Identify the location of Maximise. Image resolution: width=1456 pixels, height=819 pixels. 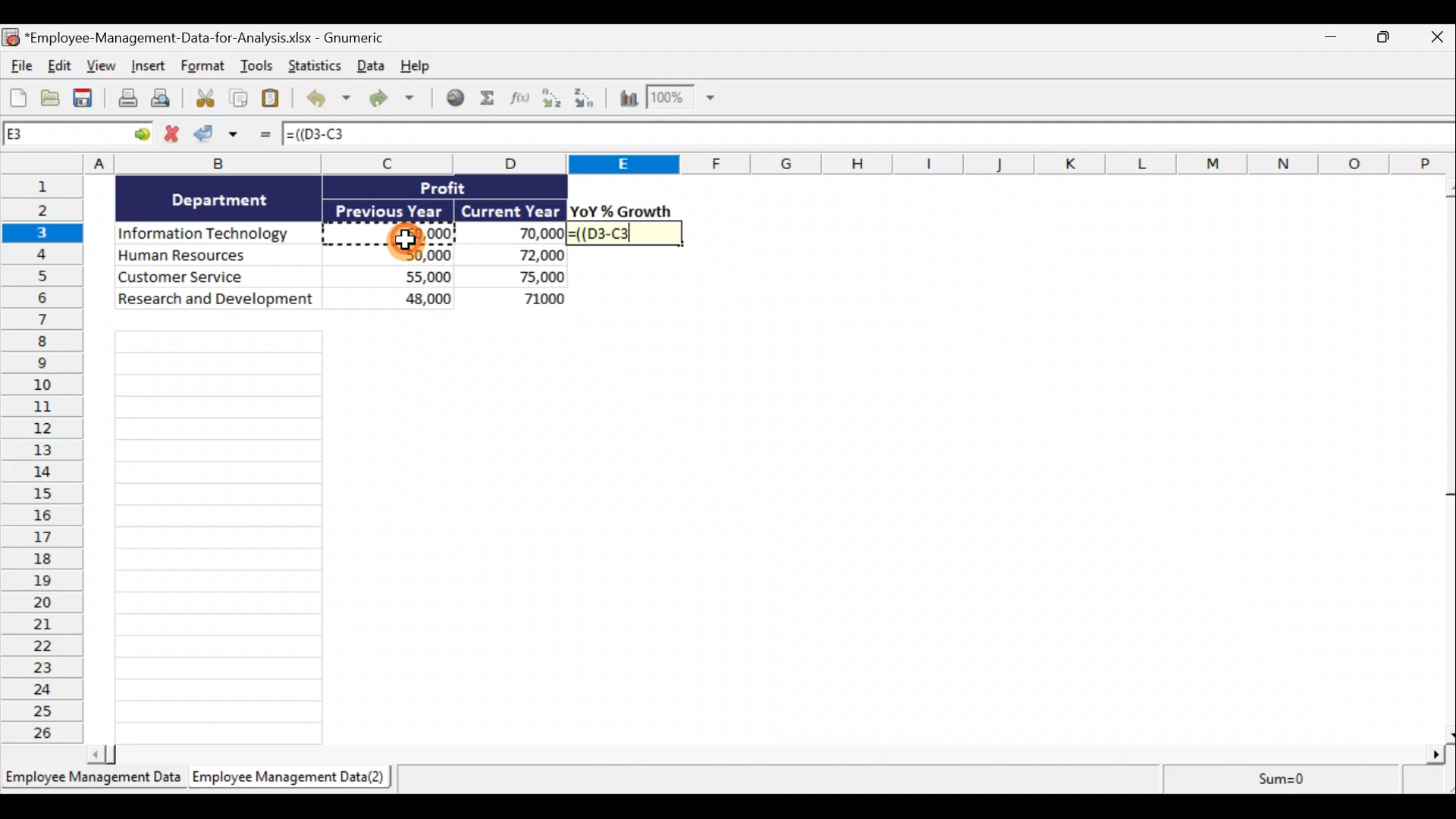
(1389, 37).